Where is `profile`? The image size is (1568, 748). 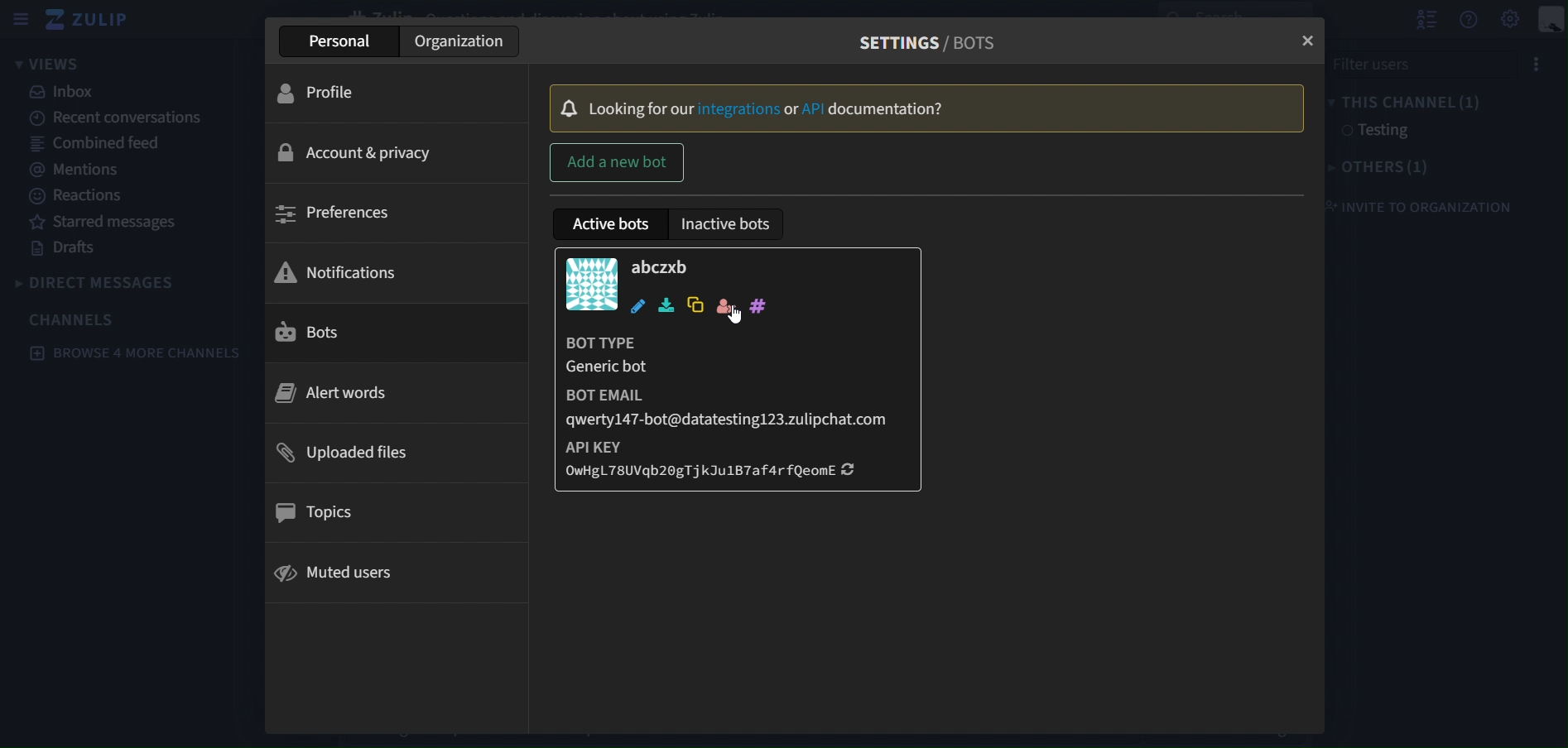 profile is located at coordinates (331, 93).